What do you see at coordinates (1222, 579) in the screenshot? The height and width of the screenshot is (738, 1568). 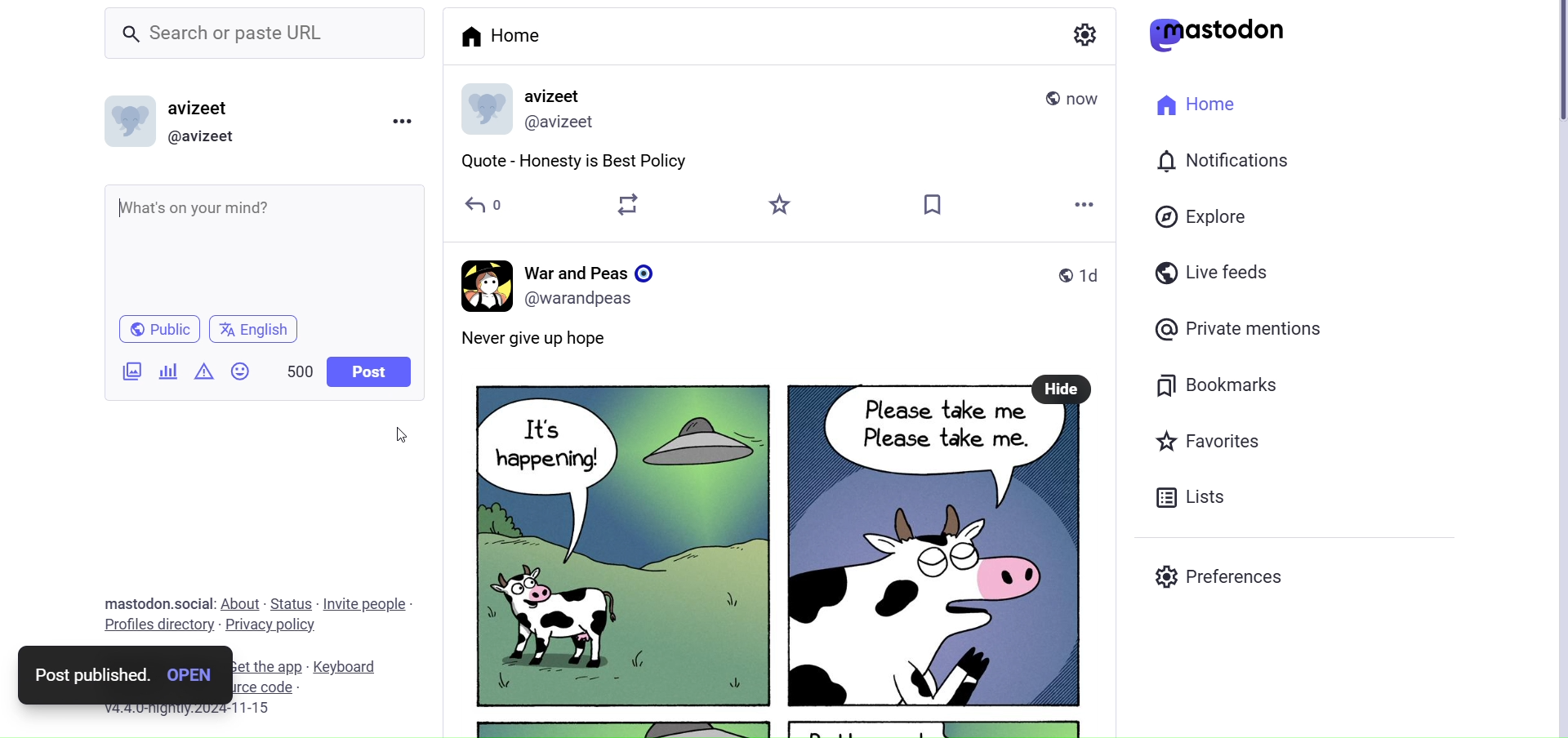 I see `Preferences` at bounding box center [1222, 579].